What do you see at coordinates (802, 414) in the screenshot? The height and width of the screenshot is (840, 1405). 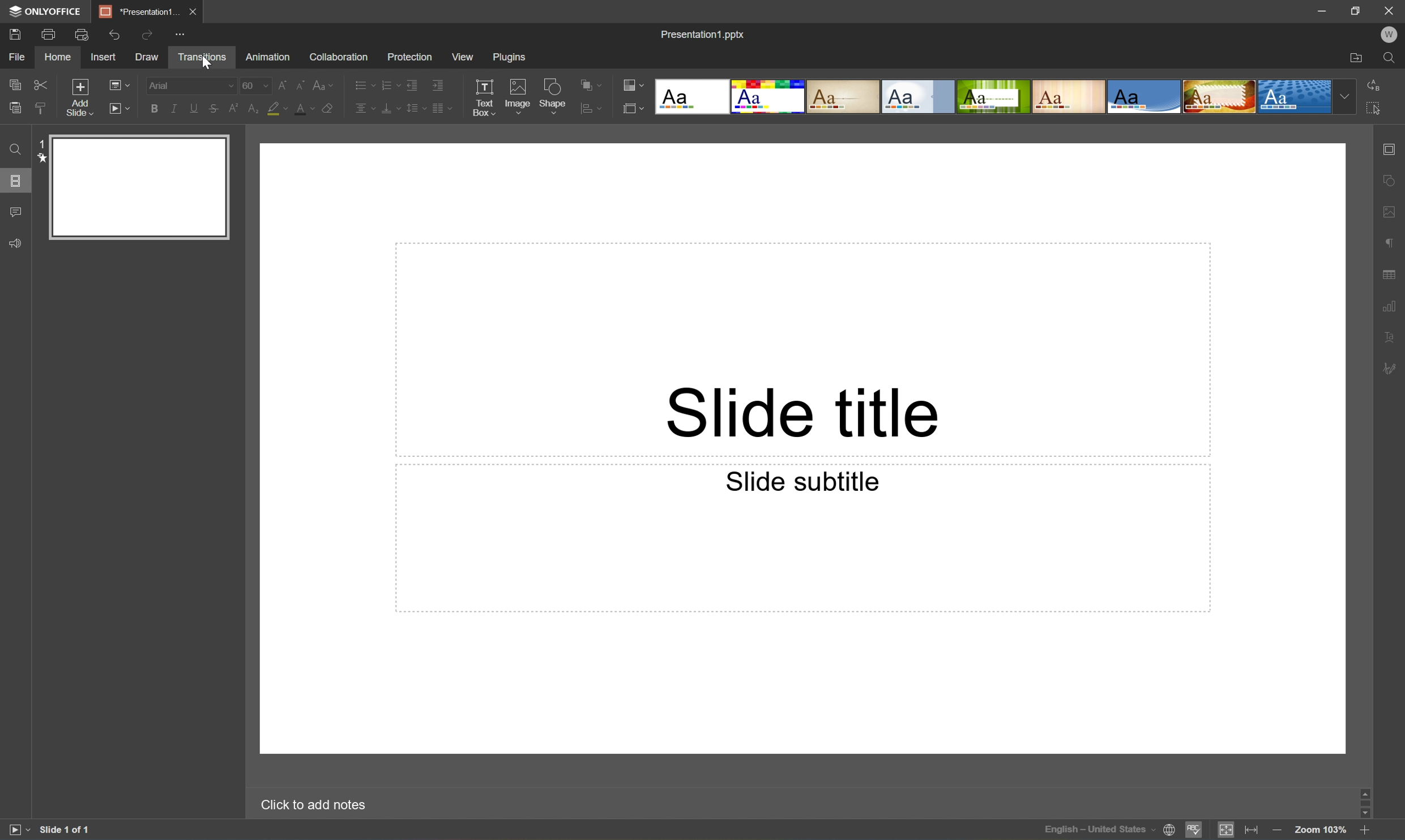 I see `Slide title` at bounding box center [802, 414].